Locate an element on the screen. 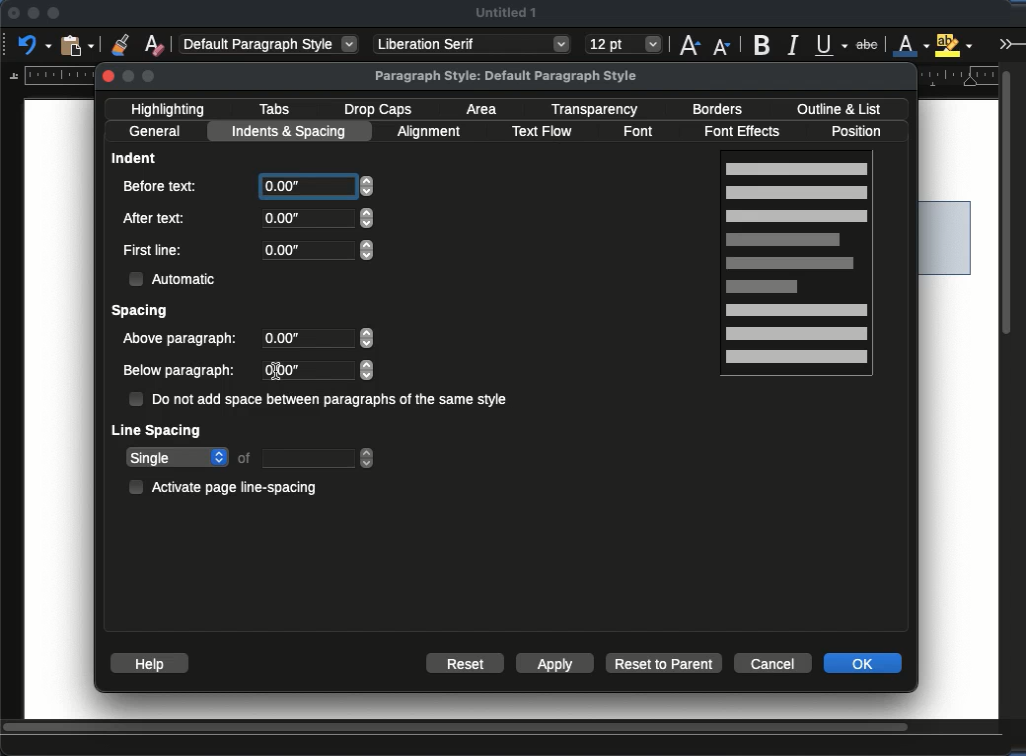 The height and width of the screenshot is (756, 1026). reset is located at coordinates (466, 662).